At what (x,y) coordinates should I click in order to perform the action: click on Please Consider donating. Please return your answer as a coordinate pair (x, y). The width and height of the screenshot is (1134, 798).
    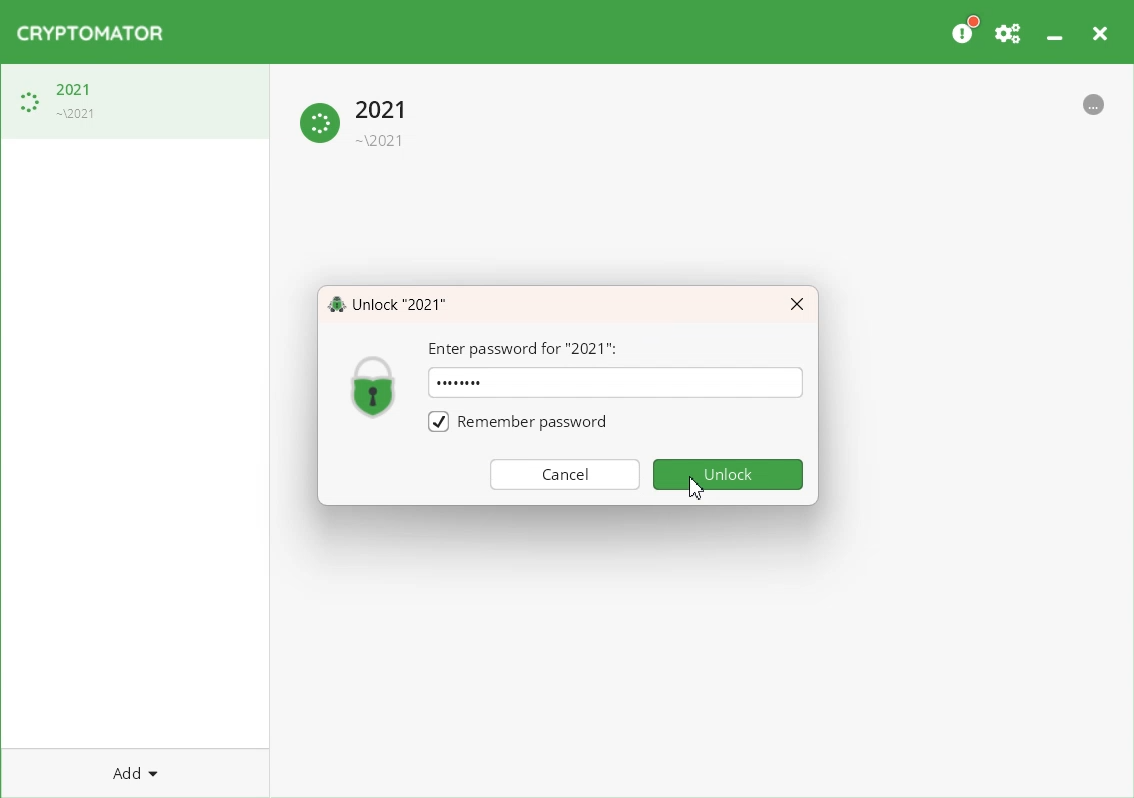
    Looking at the image, I should click on (964, 30).